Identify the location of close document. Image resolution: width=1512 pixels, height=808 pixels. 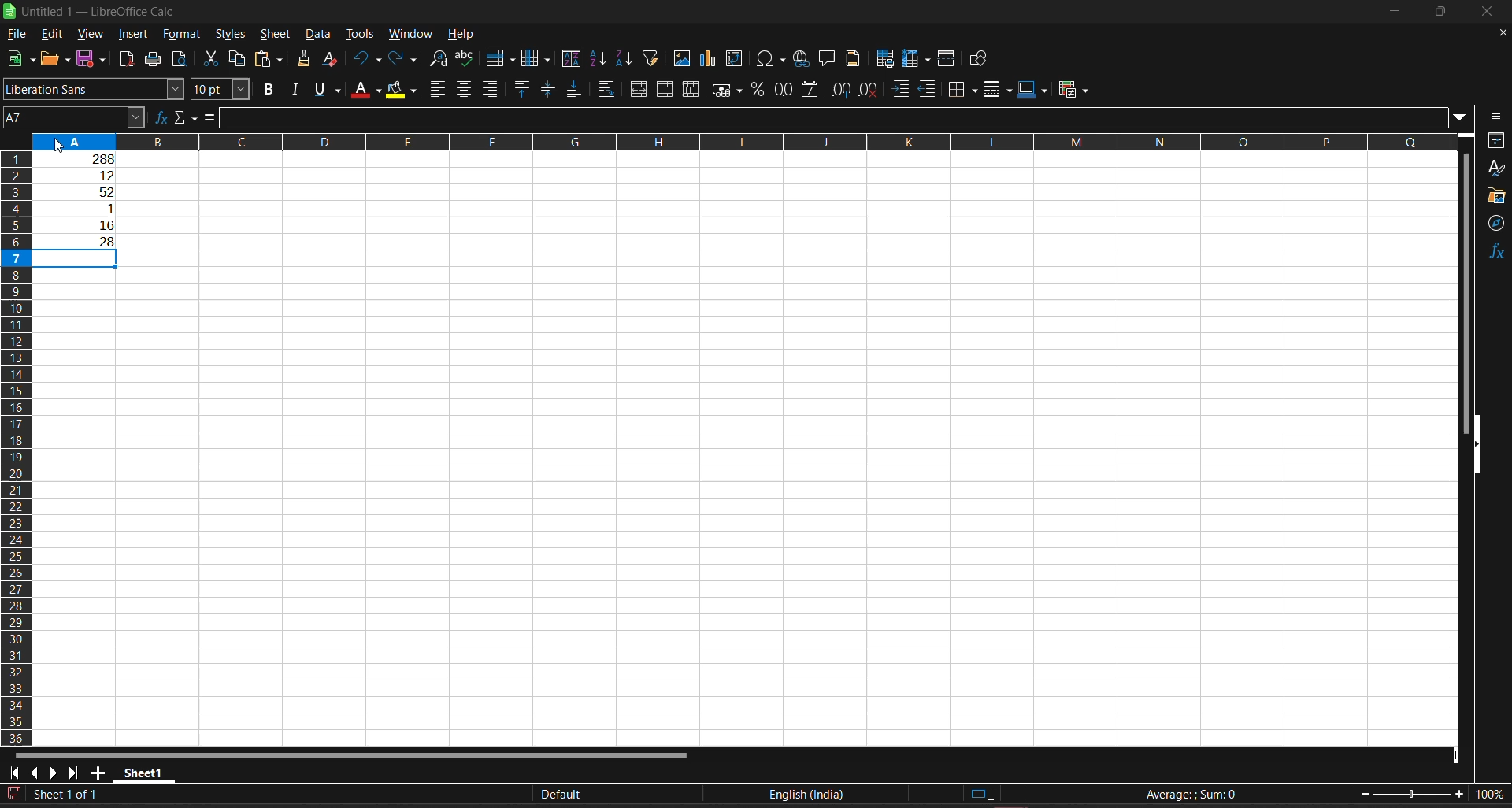
(1498, 32).